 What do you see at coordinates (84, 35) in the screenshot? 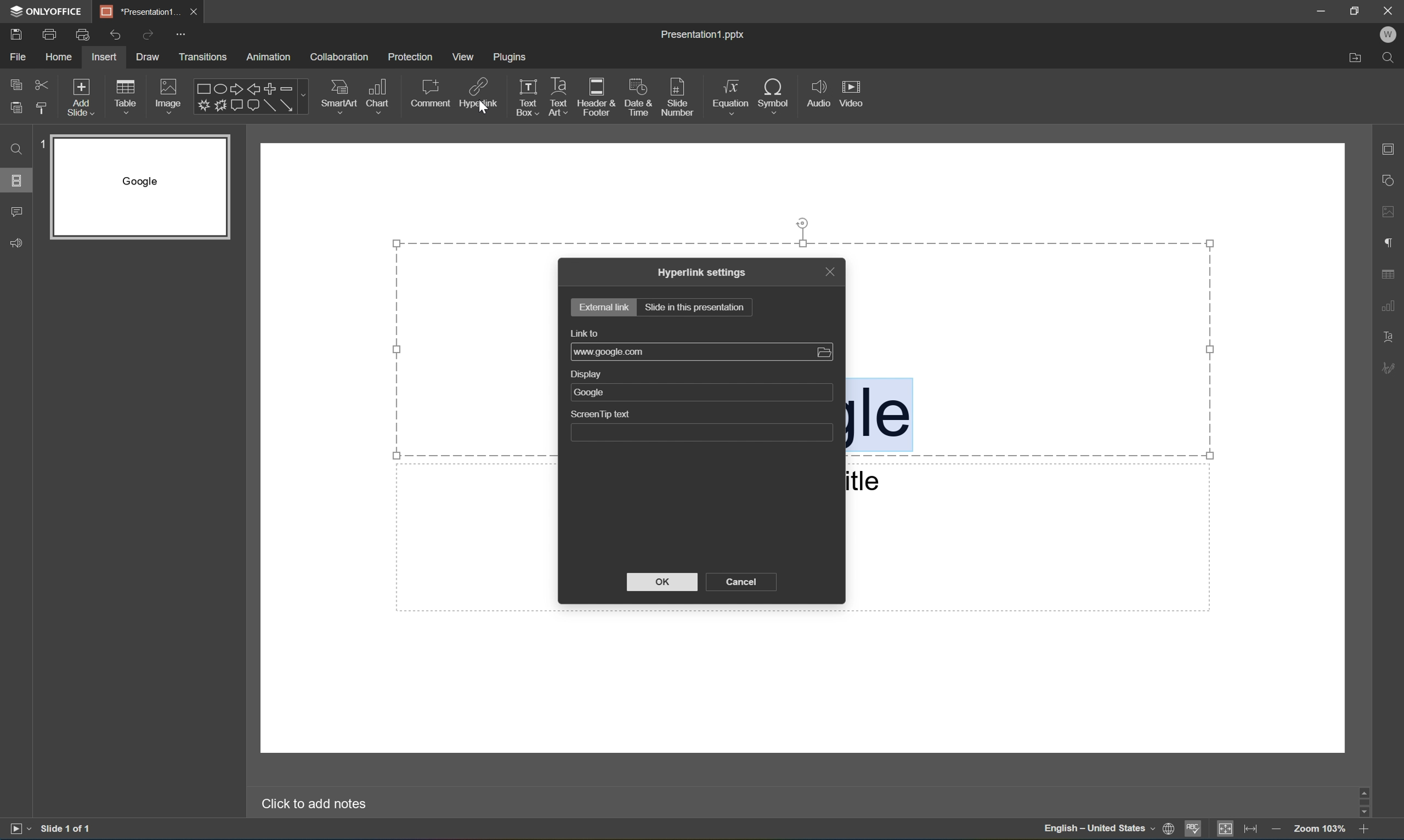
I see `Quick print` at bounding box center [84, 35].